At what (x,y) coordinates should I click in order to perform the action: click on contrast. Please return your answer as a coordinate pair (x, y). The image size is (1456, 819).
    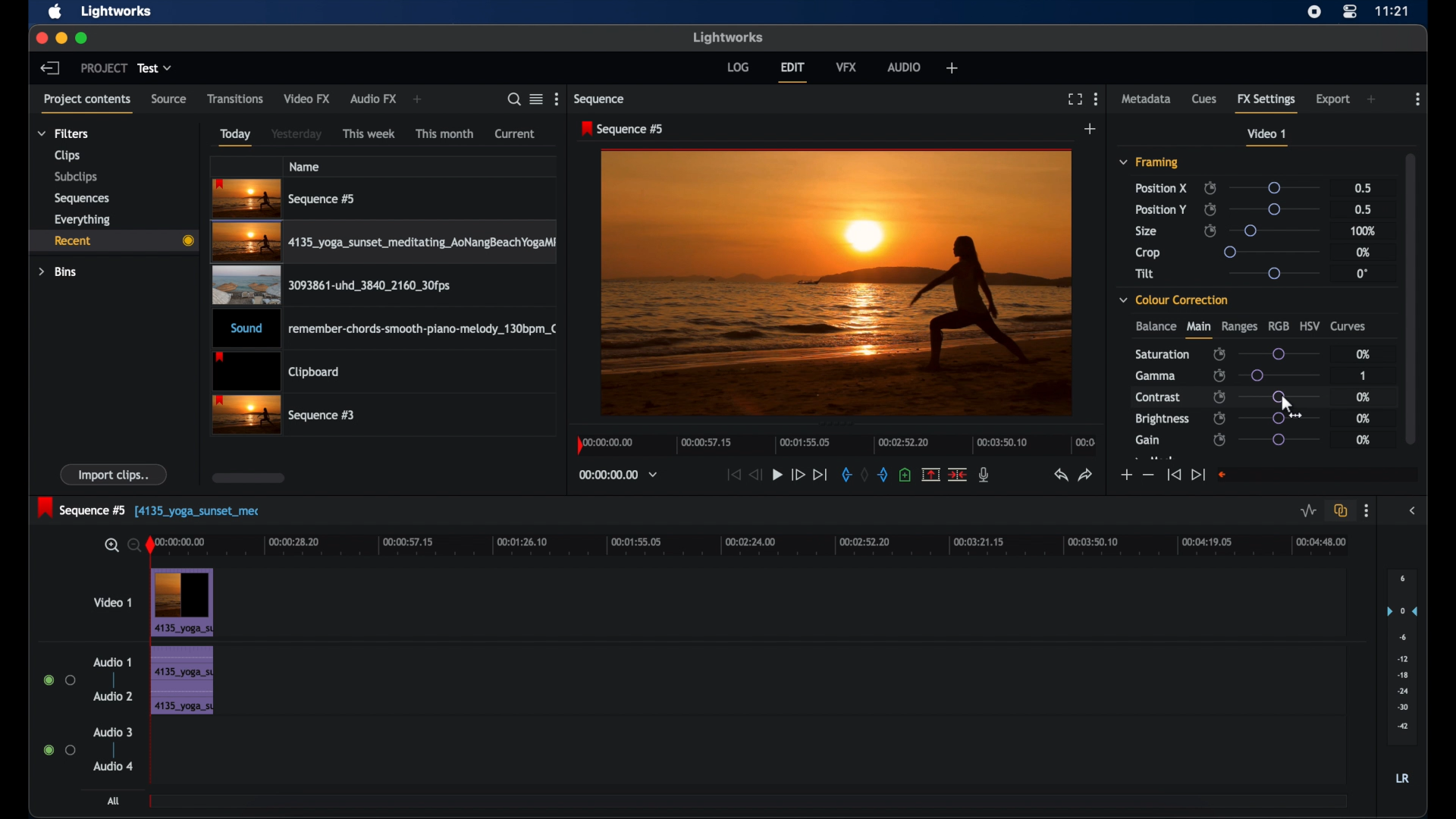
    Looking at the image, I should click on (1157, 398).